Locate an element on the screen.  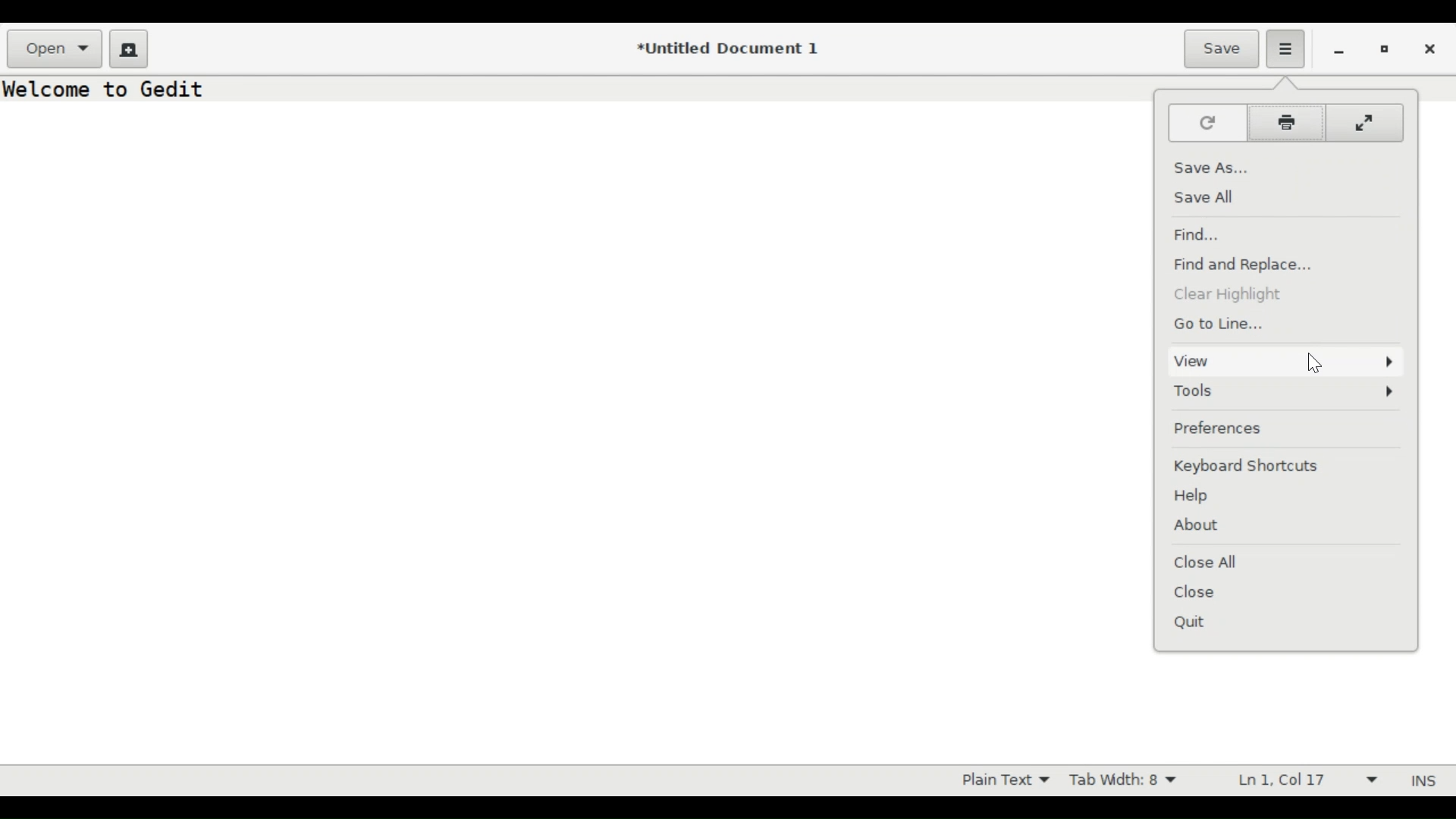
Create a new document is located at coordinates (128, 48).